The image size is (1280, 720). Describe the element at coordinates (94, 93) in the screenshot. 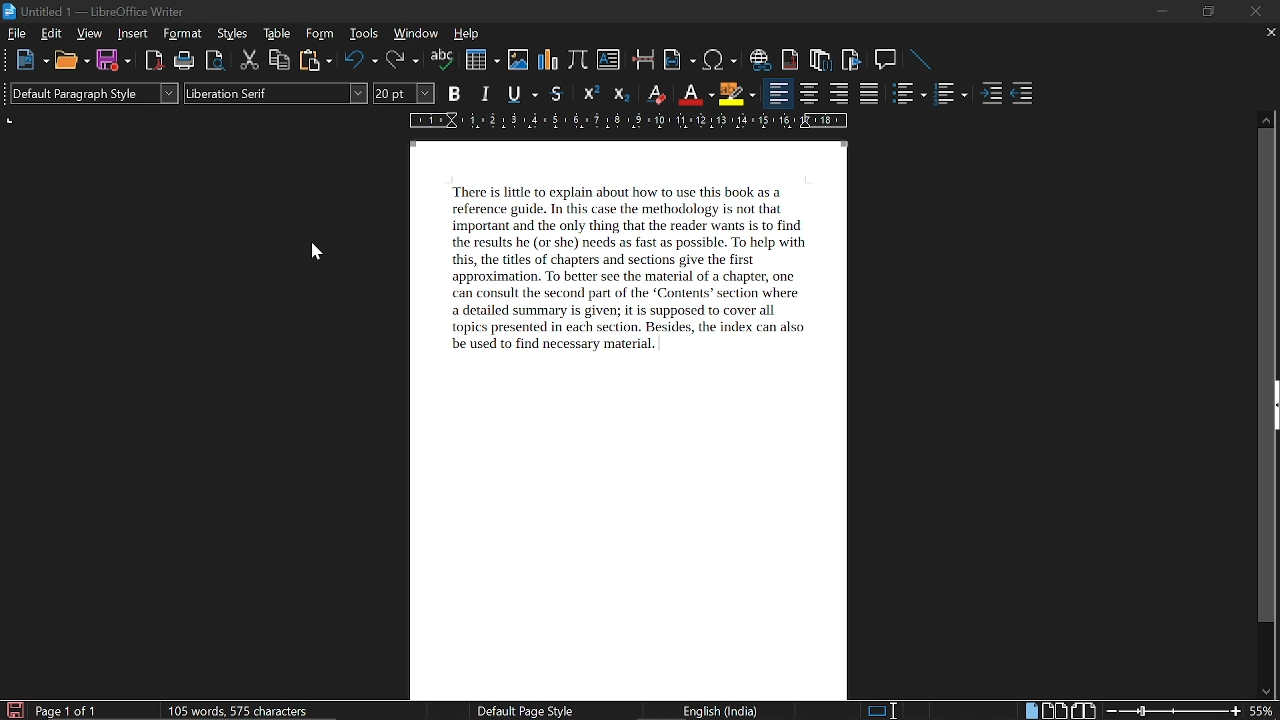

I see `paragraph style` at that location.